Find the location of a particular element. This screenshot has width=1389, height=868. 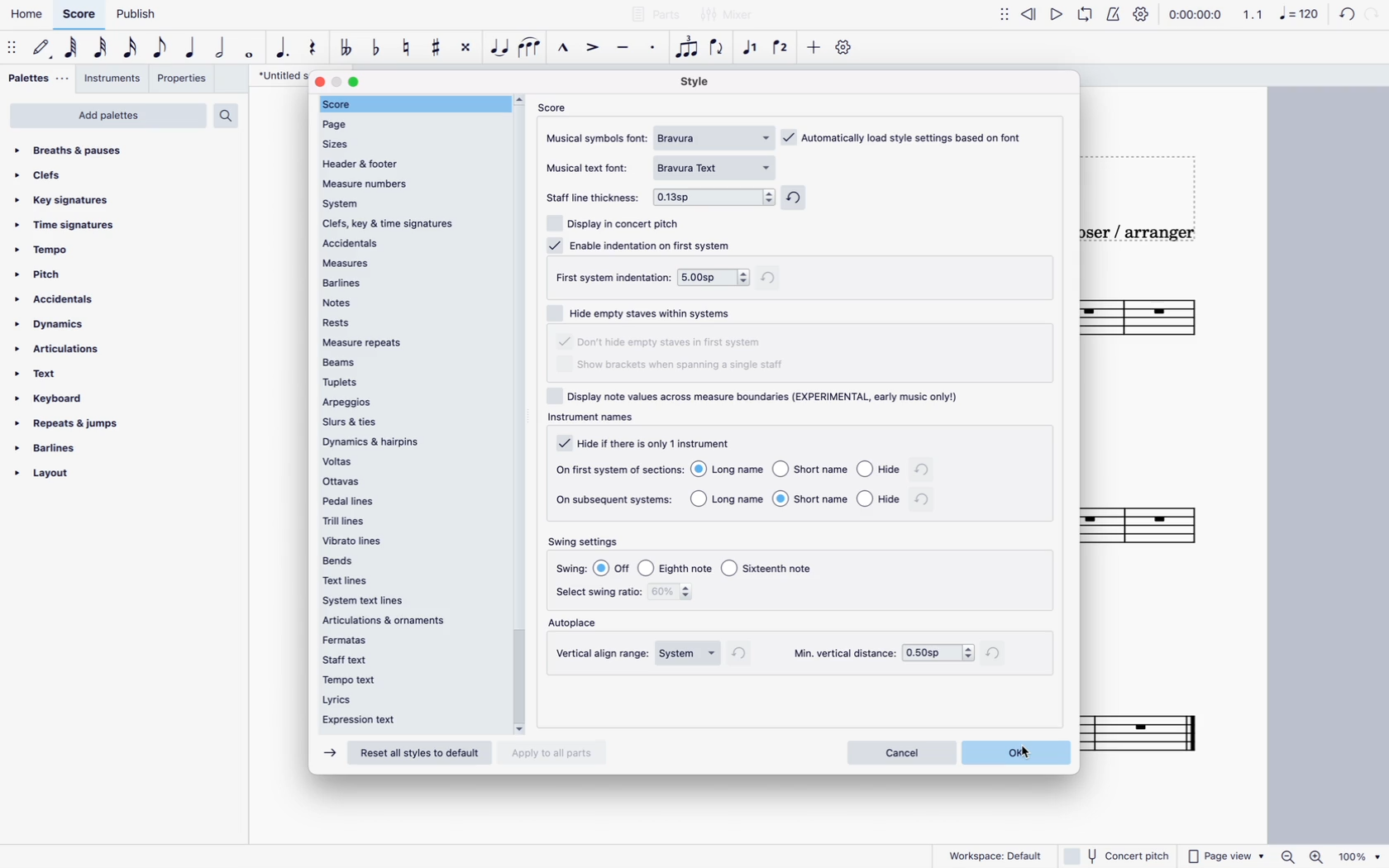

trill lines is located at coordinates (409, 520).